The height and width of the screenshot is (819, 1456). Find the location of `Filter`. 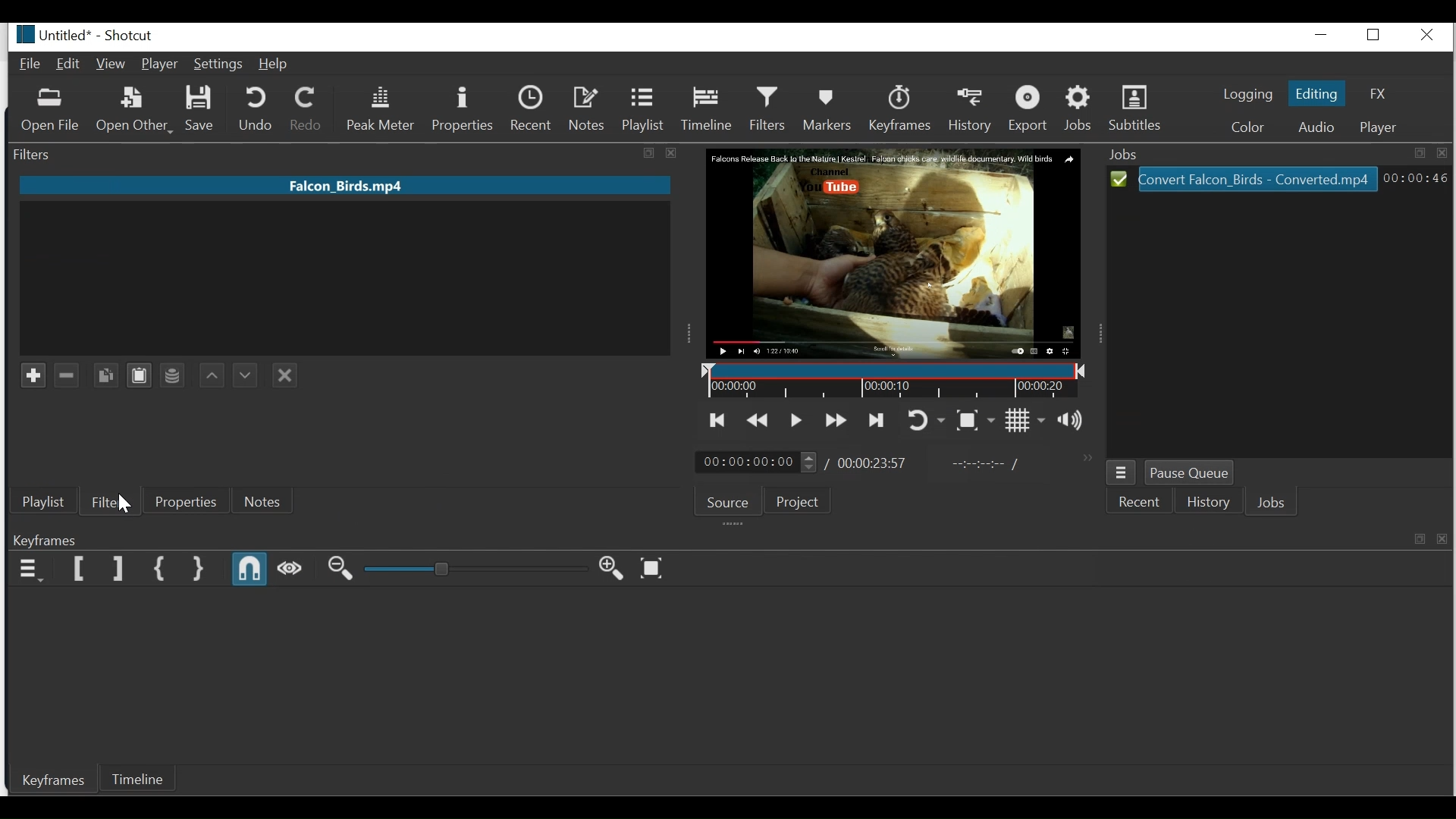

Filter is located at coordinates (106, 504).